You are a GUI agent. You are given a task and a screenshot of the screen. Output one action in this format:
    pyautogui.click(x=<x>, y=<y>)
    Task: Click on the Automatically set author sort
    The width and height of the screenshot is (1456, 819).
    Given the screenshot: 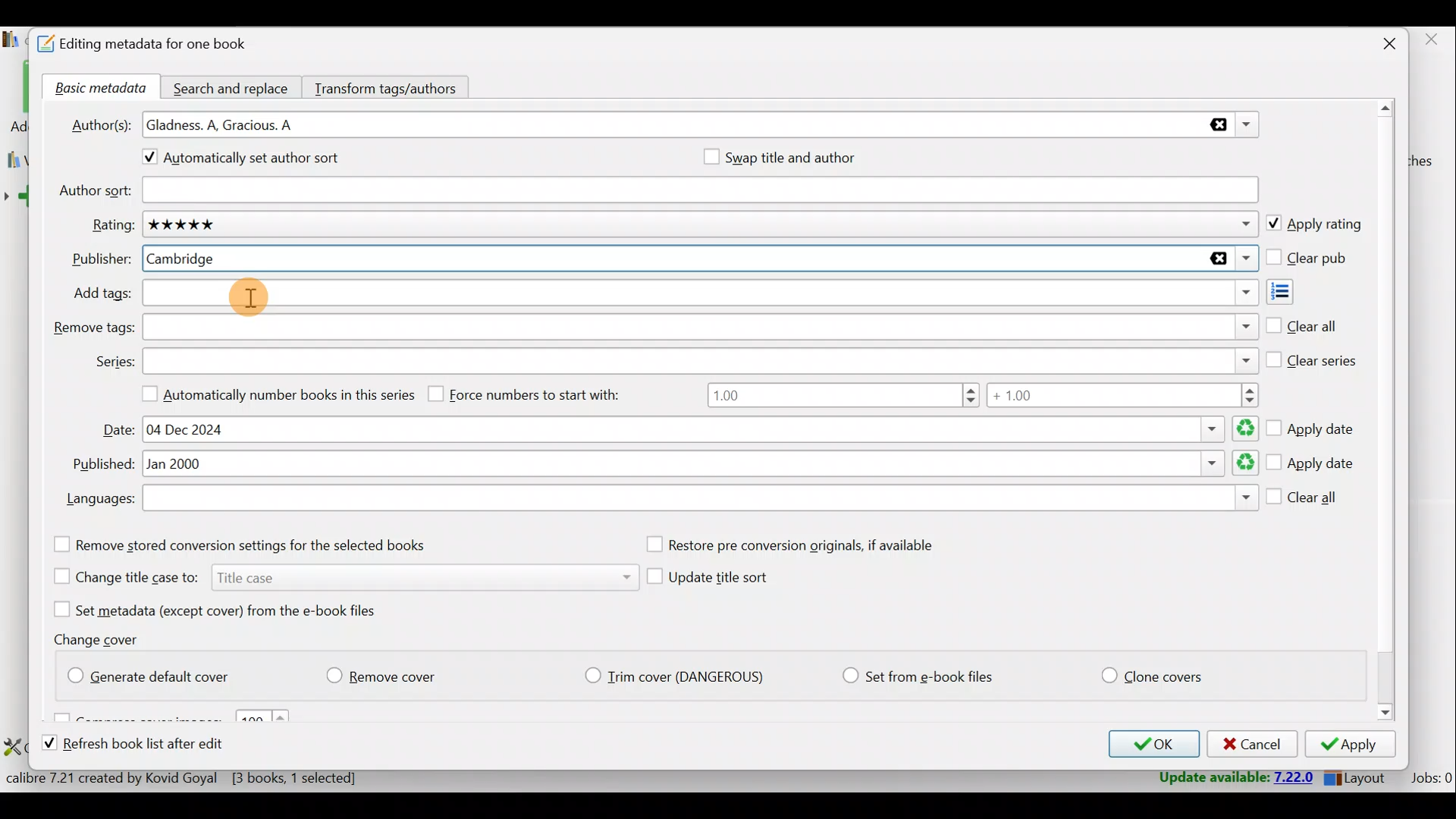 What is the action you would take?
    pyautogui.click(x=253, y=160)
    